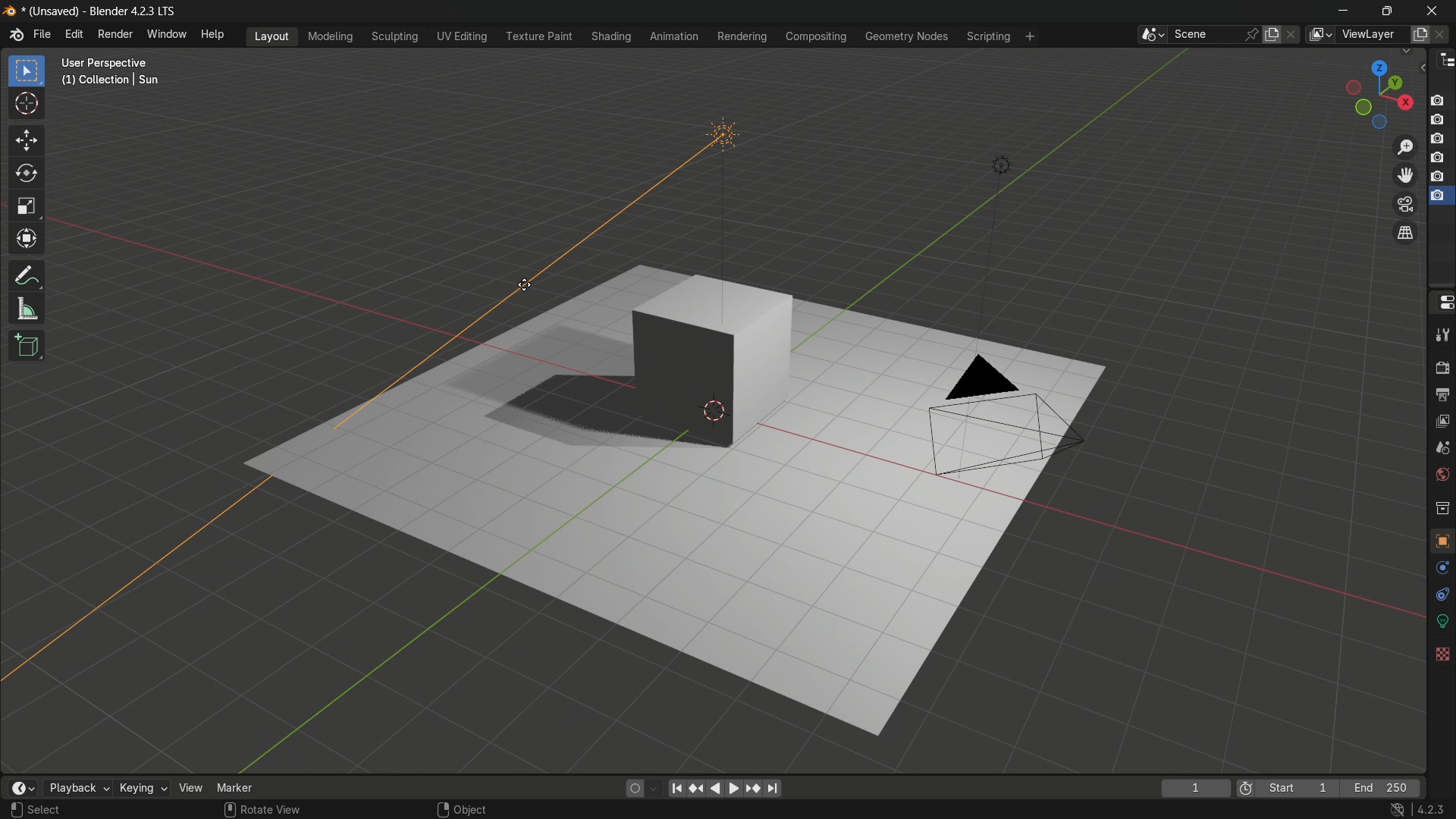  What do you see at coordinates (394, 37) in the screenshot?
I see `sculpting` at bounding box center [394, 37].